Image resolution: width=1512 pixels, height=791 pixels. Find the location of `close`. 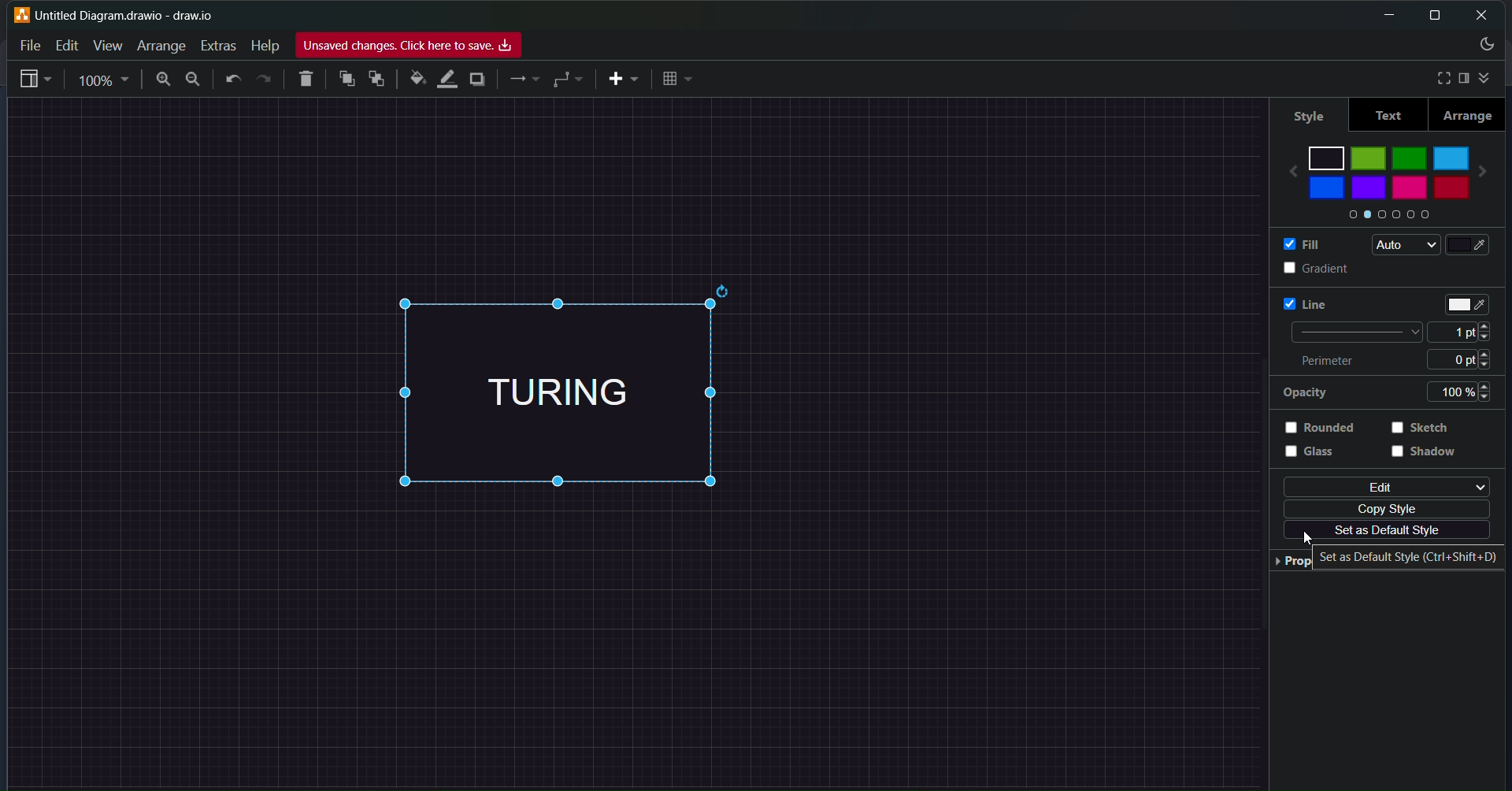

close is located at coordinates (1483, 15).